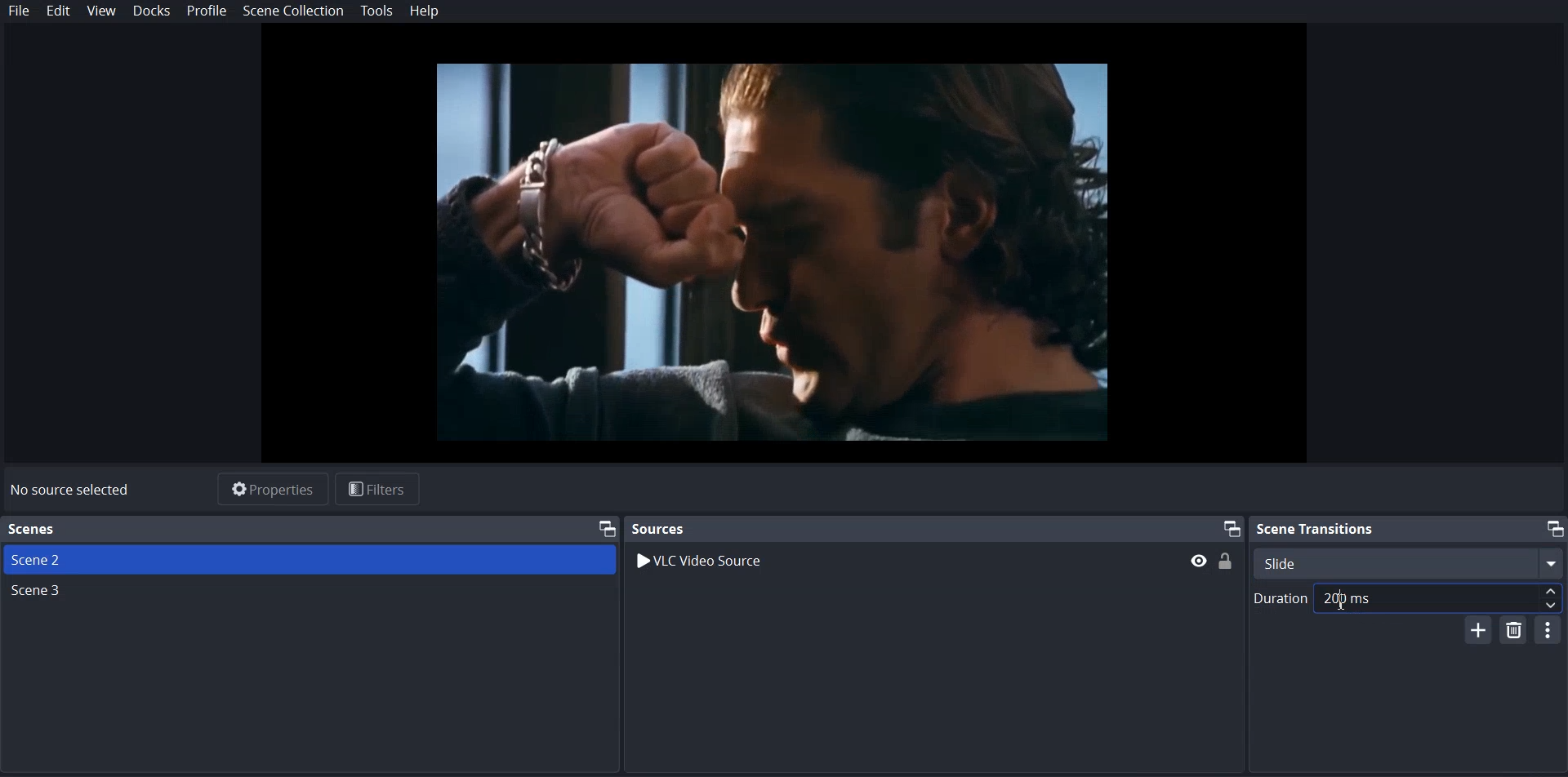  Describe the element at coordinates (704, 563) in the screenshot. I see `VLC Video Source ` at that location.